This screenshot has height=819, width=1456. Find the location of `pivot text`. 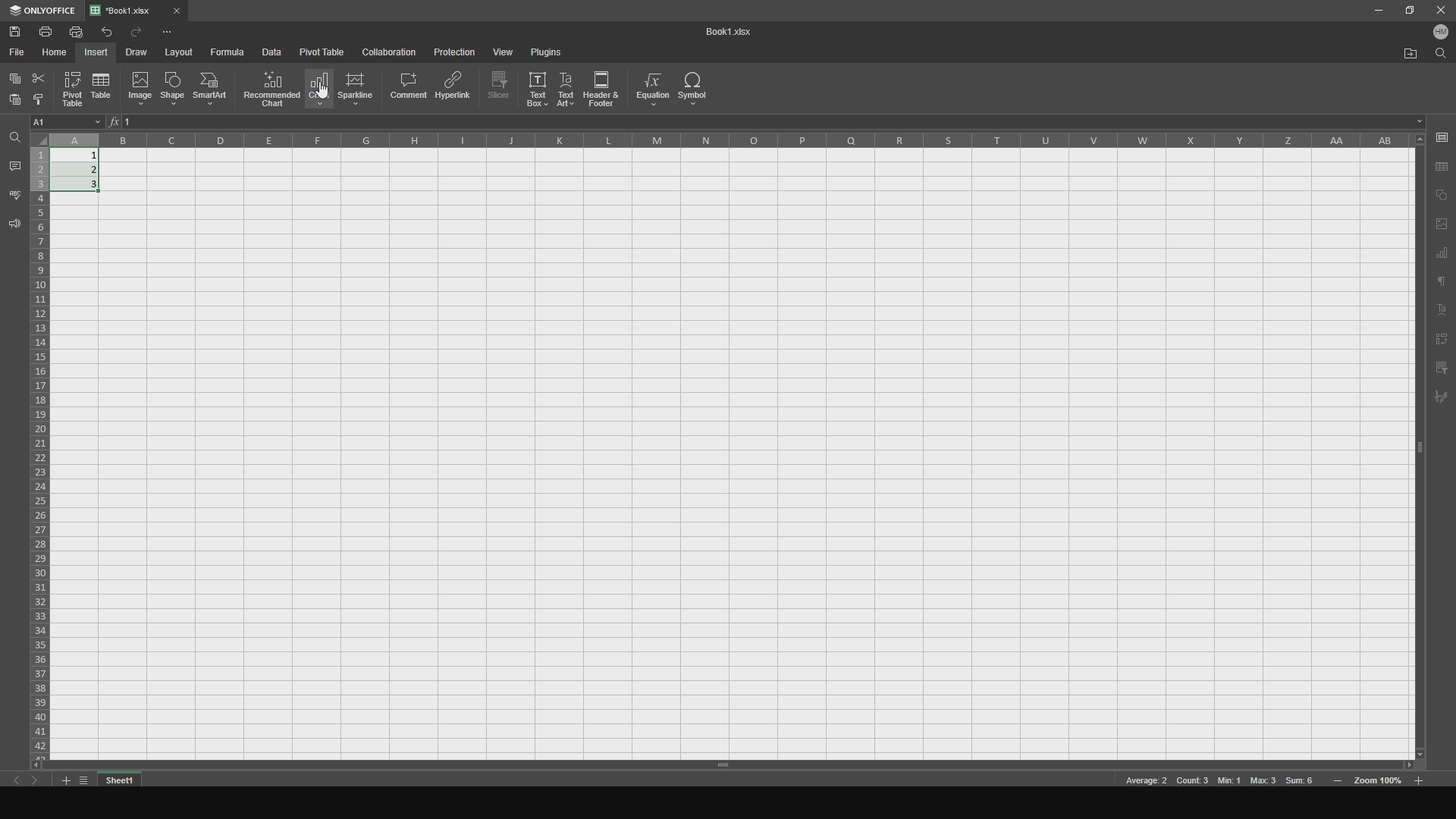

pivot text is located at coordinates (1444, 339).